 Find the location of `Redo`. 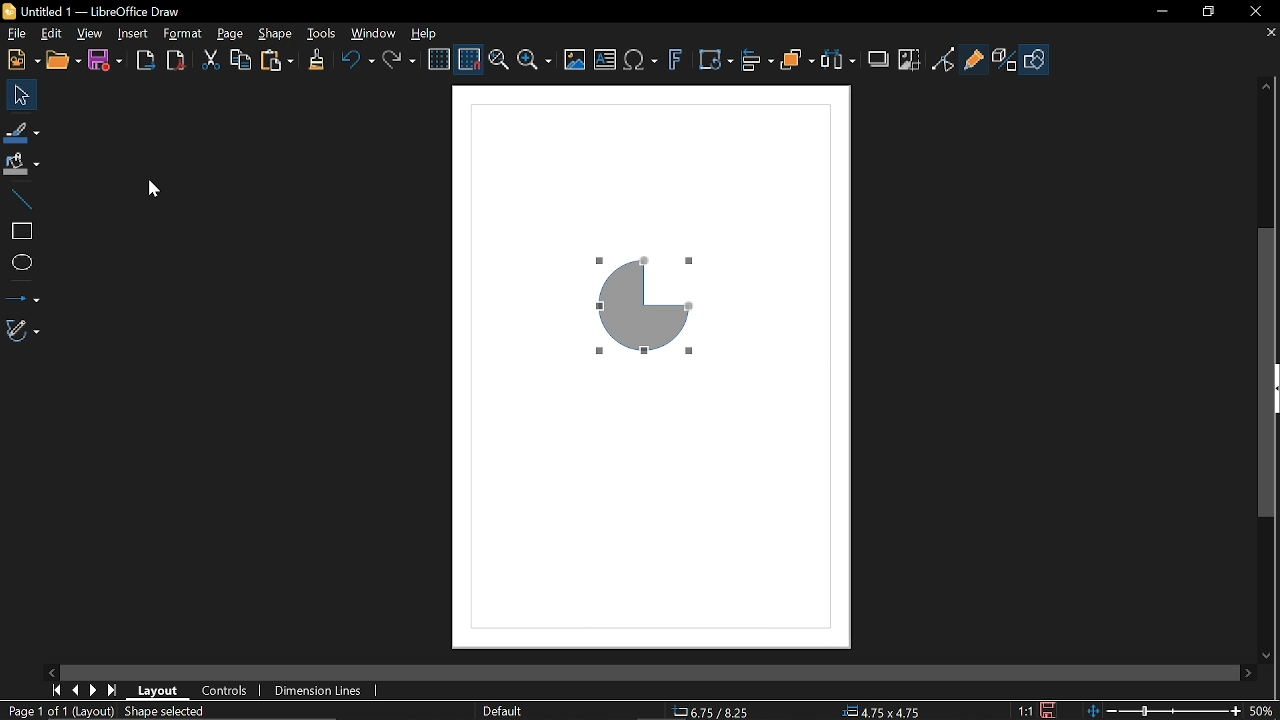

Redo is located at coordinates (400, 62).